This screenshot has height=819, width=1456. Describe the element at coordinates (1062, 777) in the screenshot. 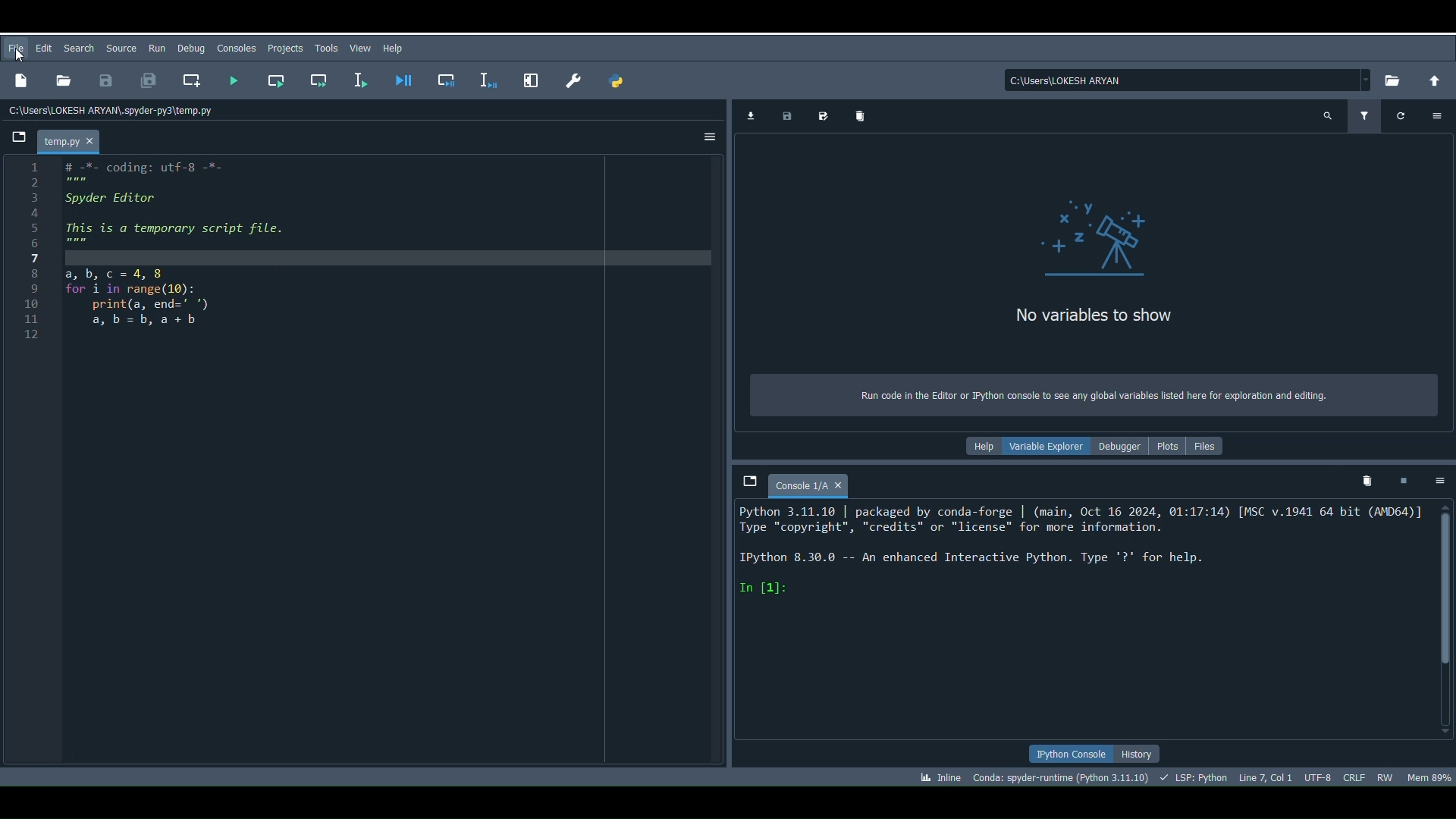

I see `Version` at that location.